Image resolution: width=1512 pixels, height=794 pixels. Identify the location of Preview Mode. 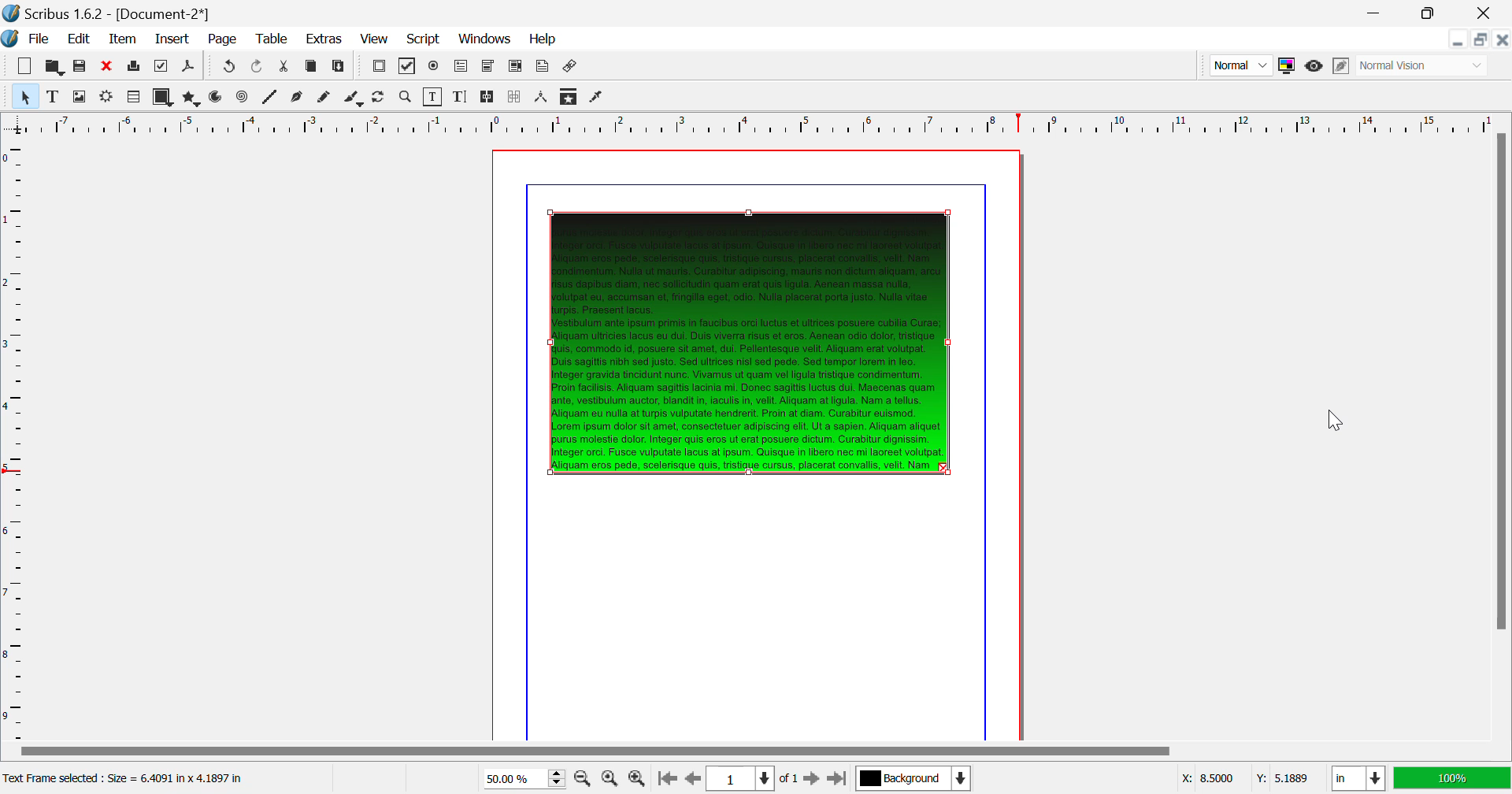
(1240, 65).